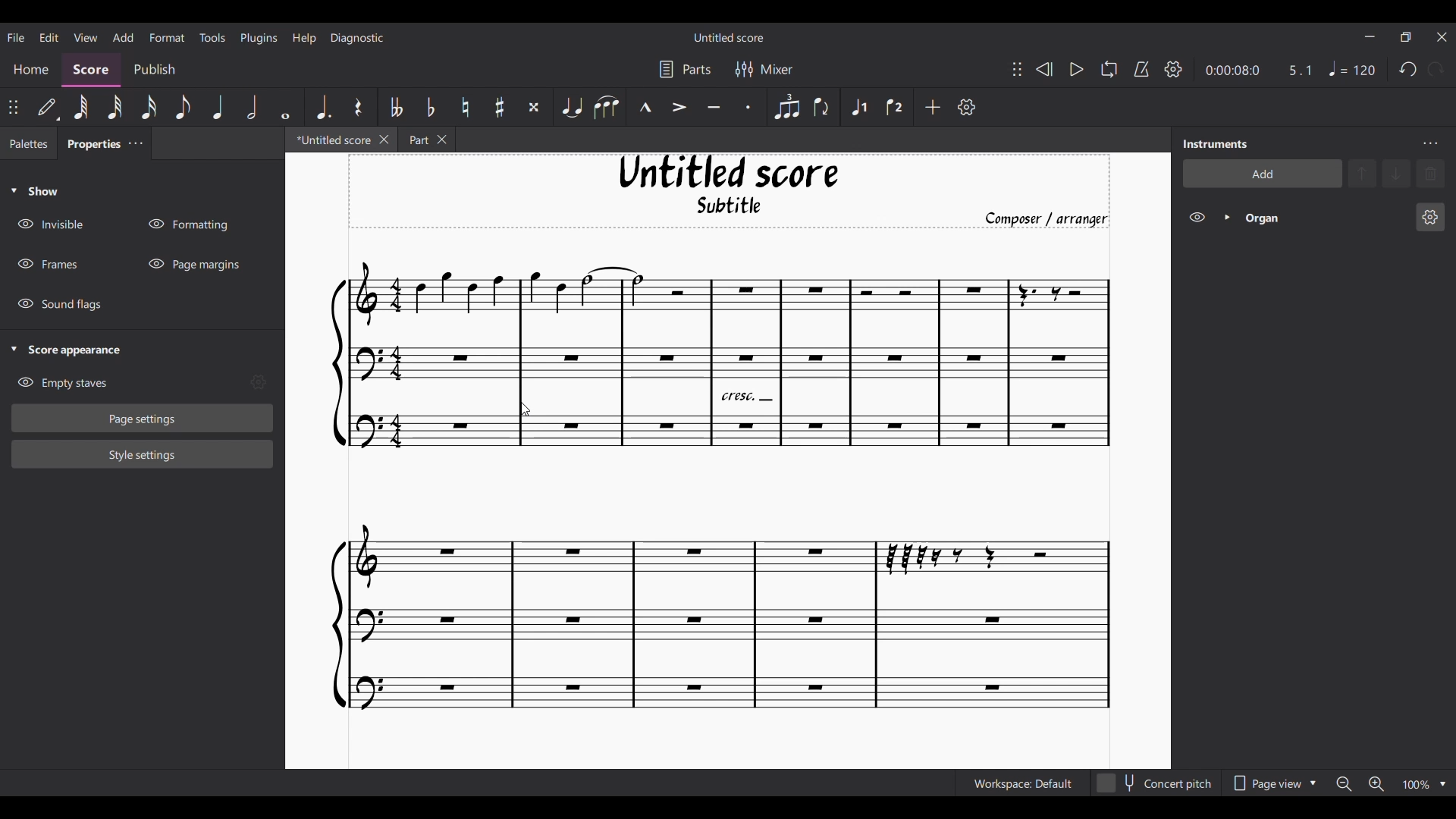  Describe the element at coordinates (394, 107) in the screenshot. I see `Toggle double flat` at that location.